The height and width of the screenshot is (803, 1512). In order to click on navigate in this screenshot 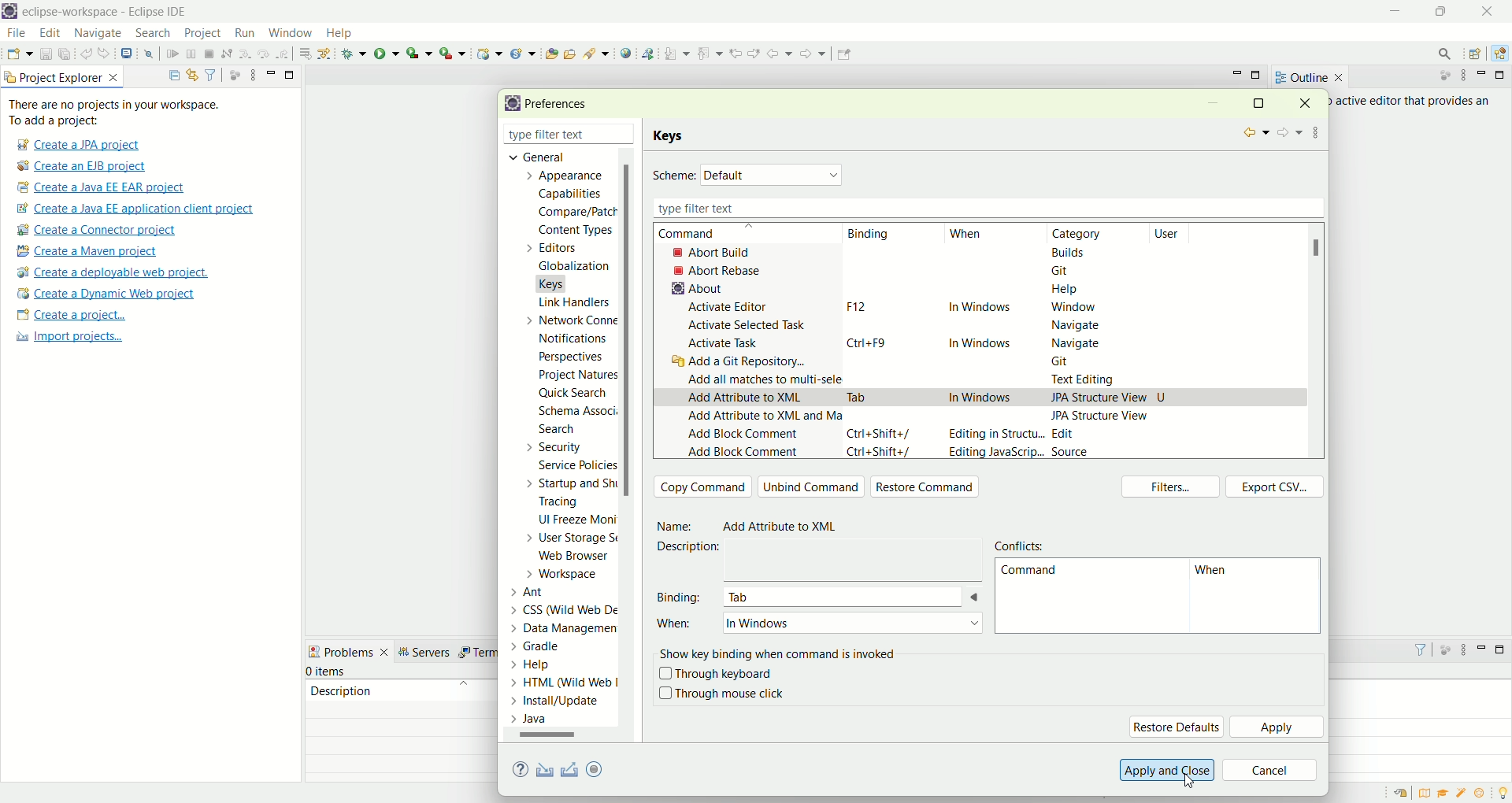, I will do `click(1077, 342)`.